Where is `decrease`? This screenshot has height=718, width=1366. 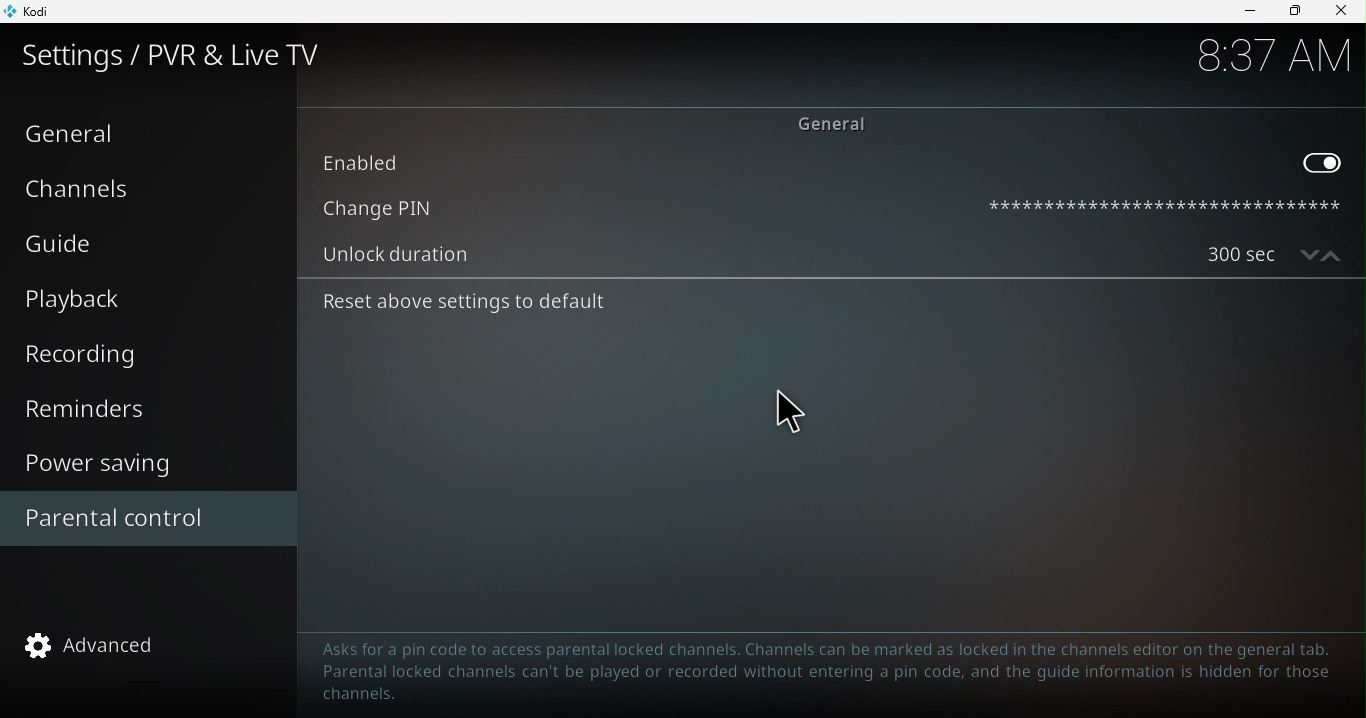 decrease is located at coordinates (1306, 253).